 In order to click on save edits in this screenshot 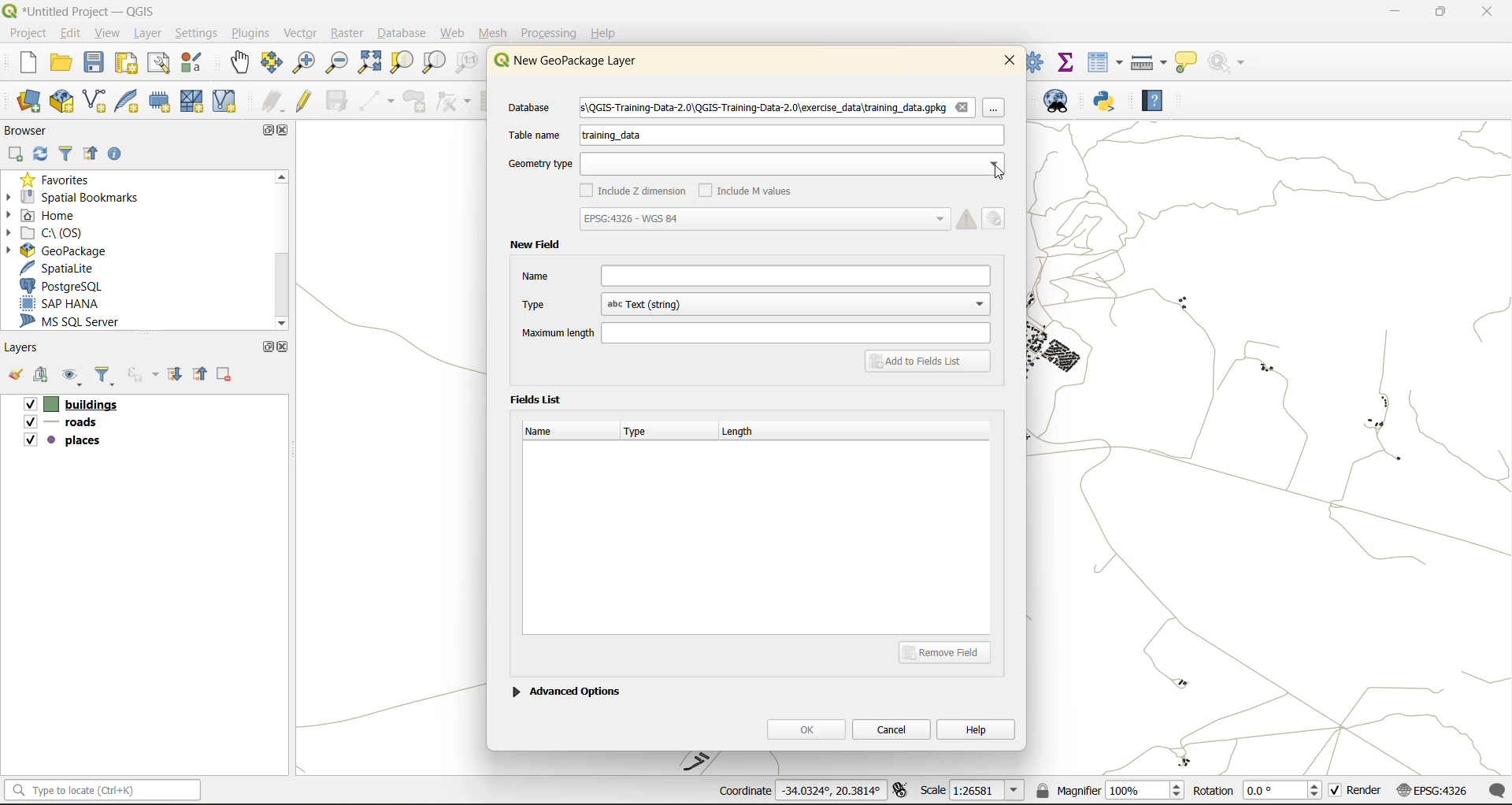, I will do `click(339, 101)`.